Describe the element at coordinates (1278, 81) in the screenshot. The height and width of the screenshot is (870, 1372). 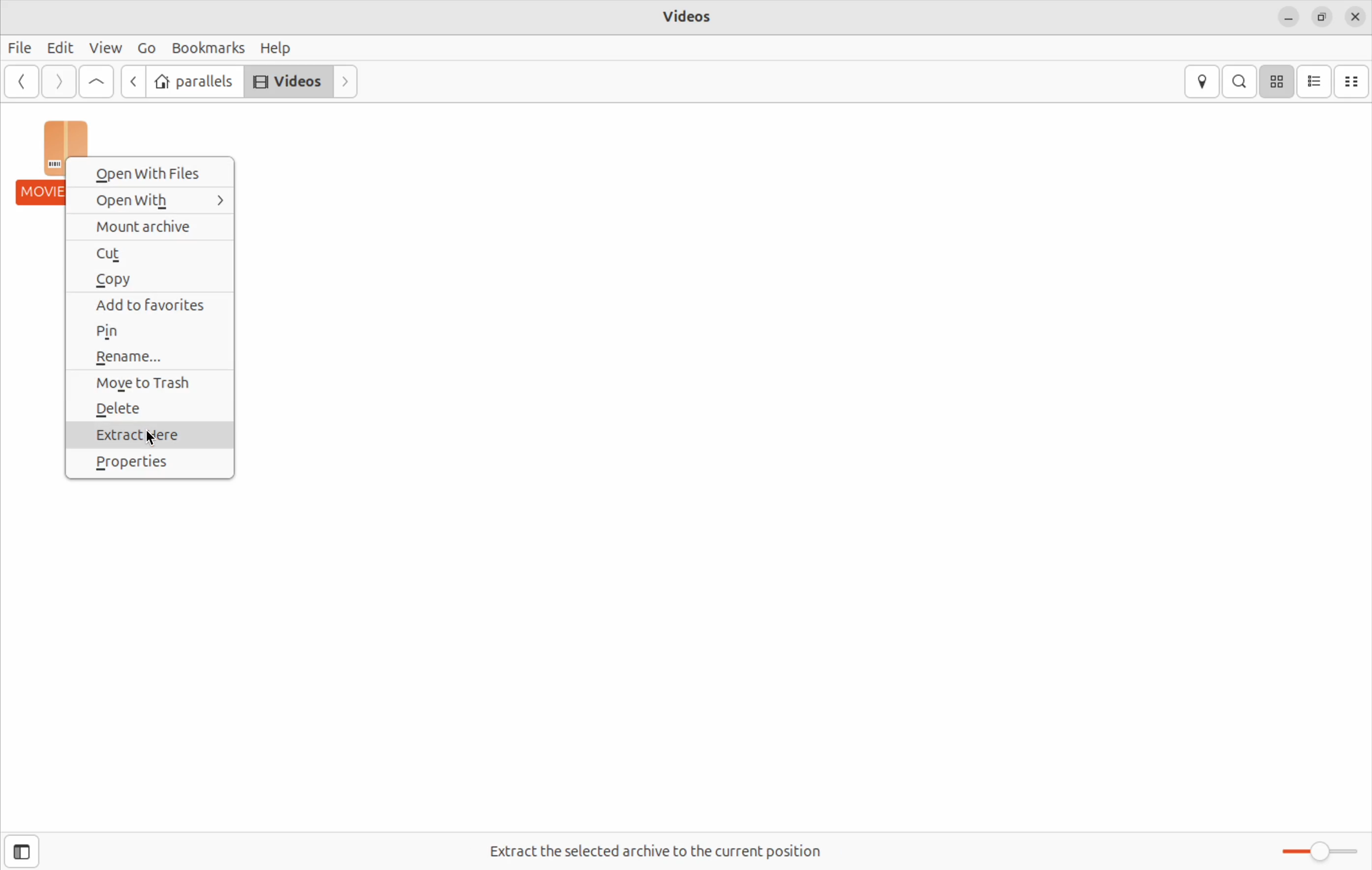
I see `icon view` at that location.